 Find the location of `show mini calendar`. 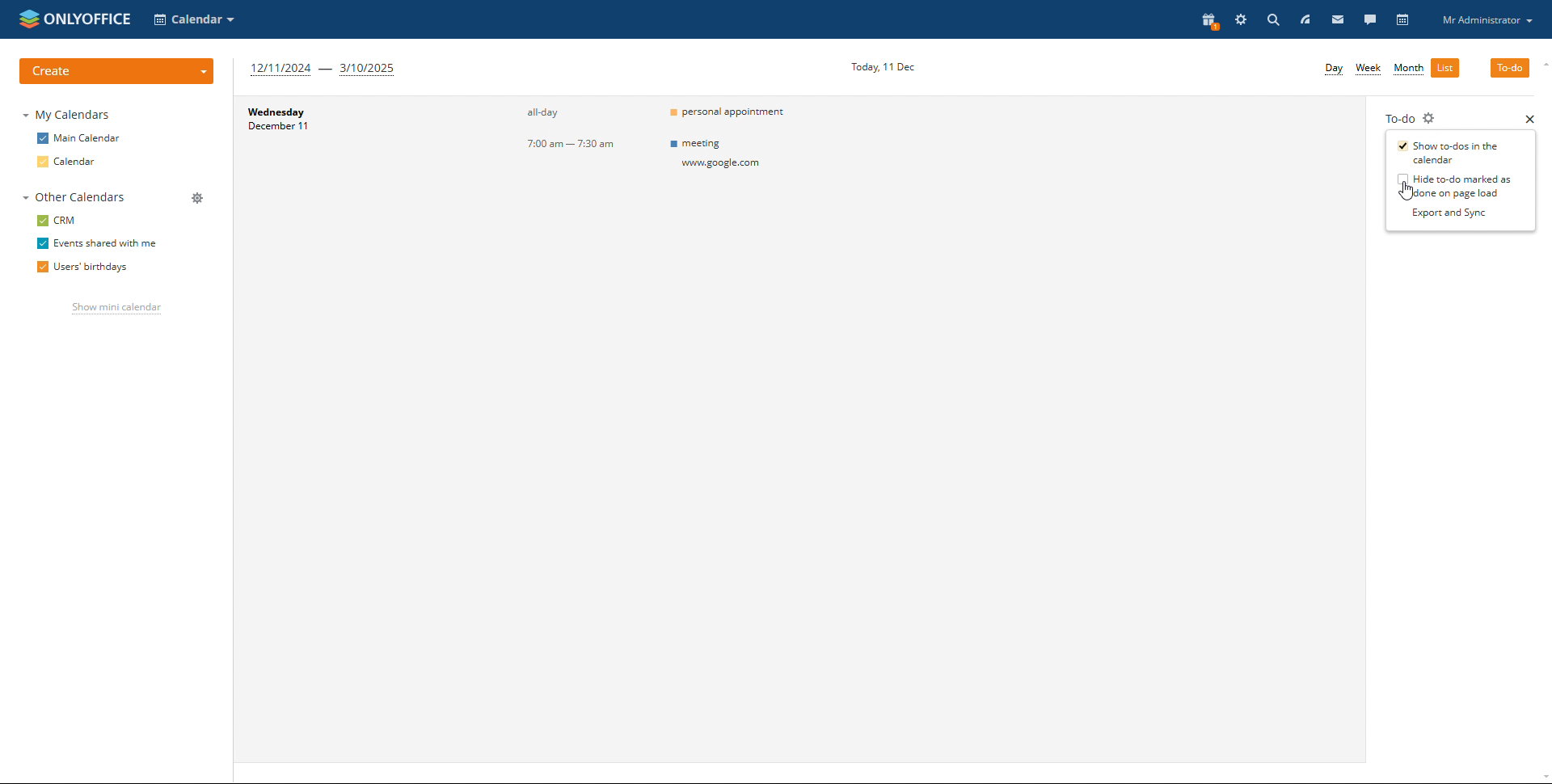

show mini calendar is located at coordinates (115, 309).